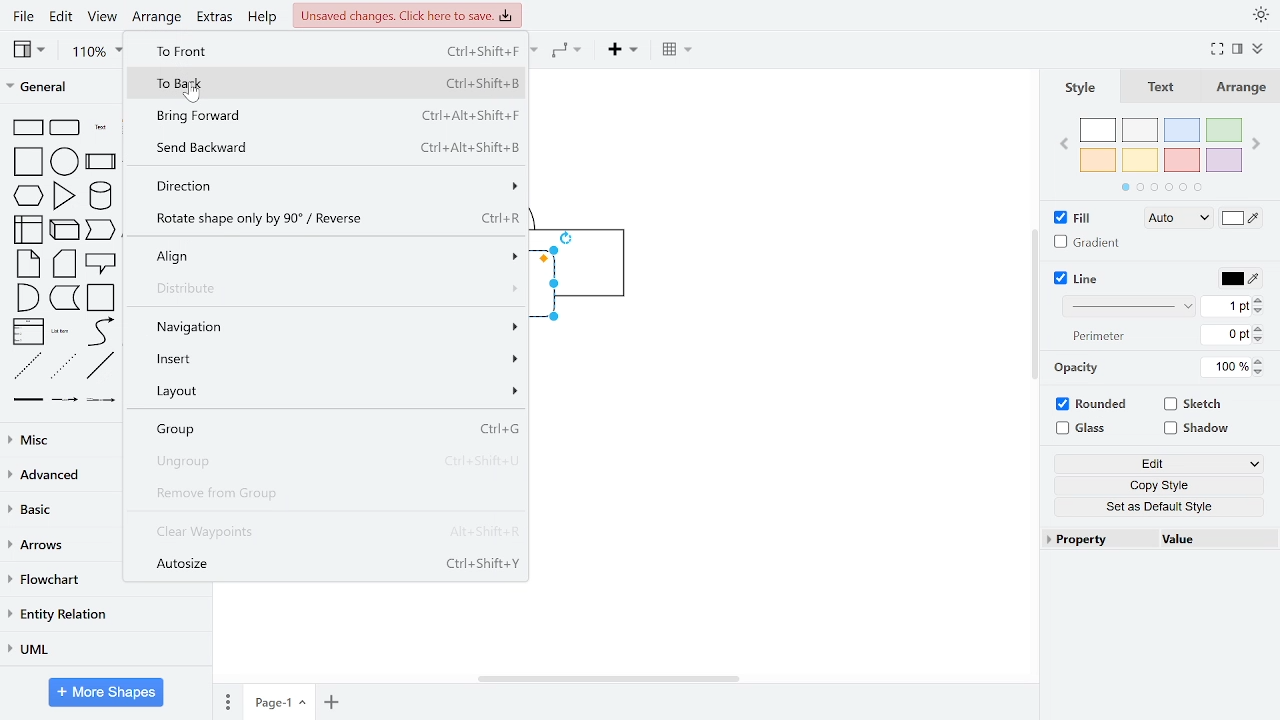 The width and height of the screenshot is (1280, 720). What do you see at coordinates (1194, 403) in the screenshot?
I see `sketch` at bounding box center [1194, 403].